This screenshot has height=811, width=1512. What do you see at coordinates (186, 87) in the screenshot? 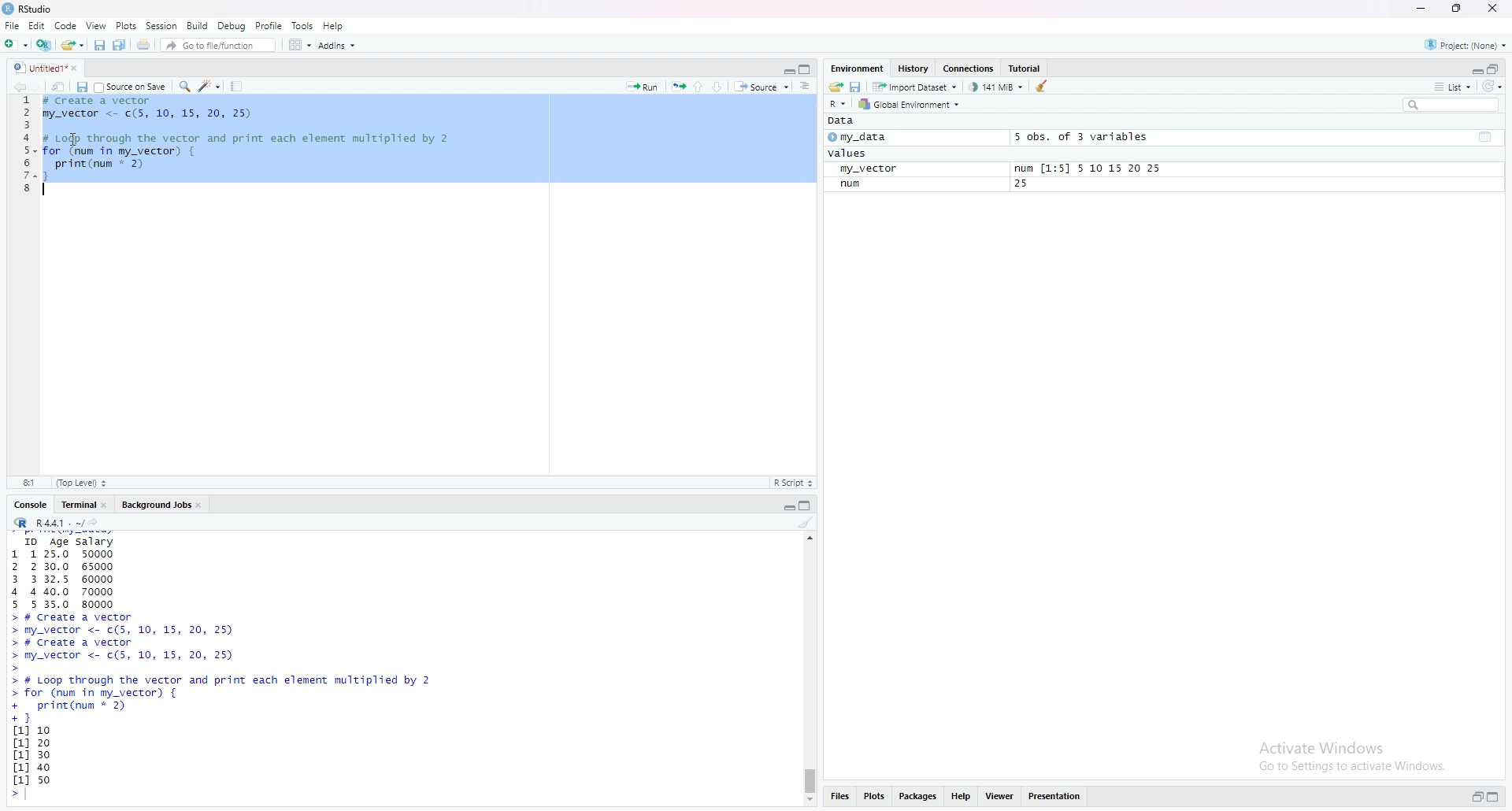
I see `find/replace` at bounding box center [186, 87].